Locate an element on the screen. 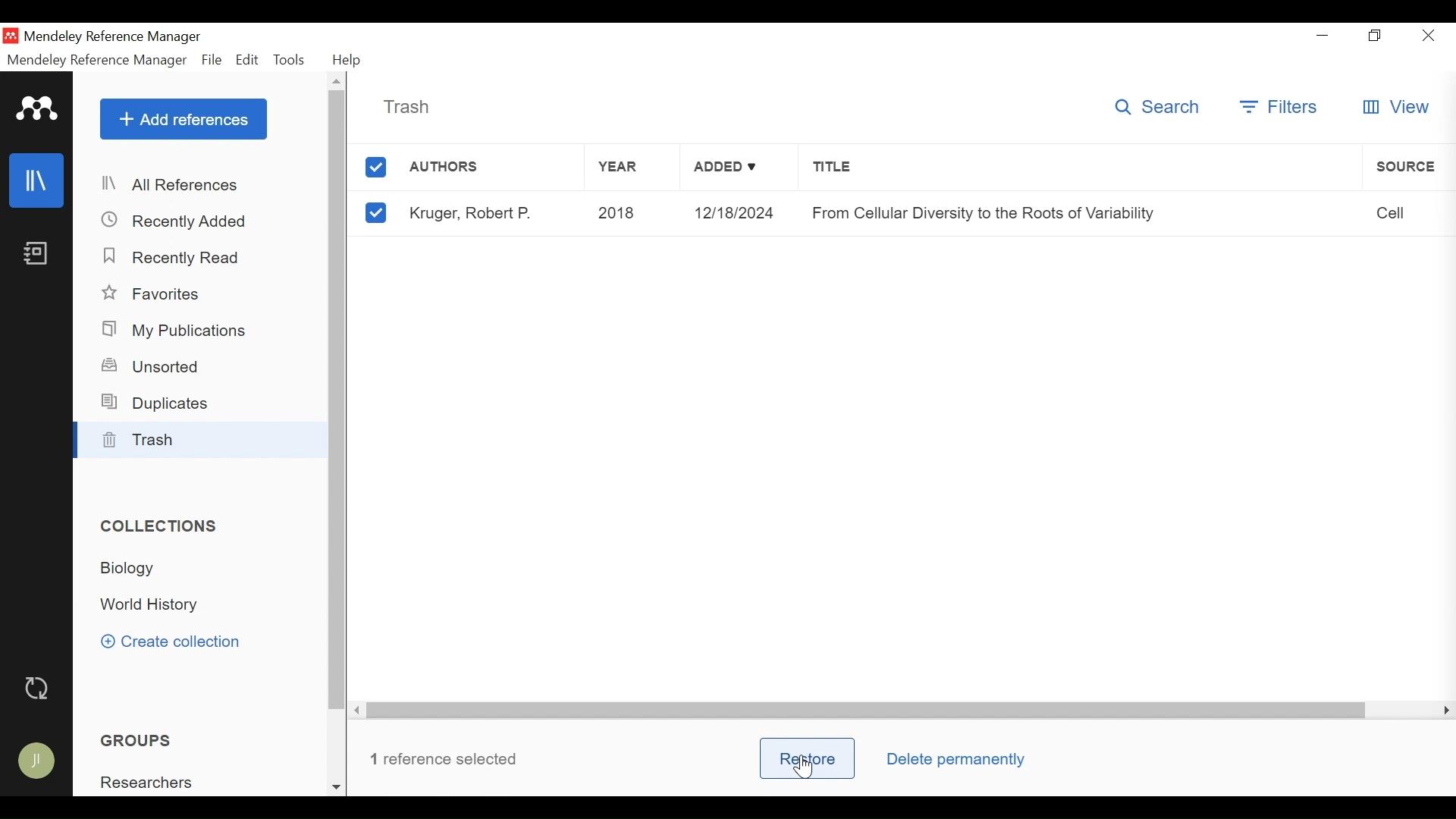 This screenshot has height=819, width=1456. Cell is located at coordinates (1410, 212).